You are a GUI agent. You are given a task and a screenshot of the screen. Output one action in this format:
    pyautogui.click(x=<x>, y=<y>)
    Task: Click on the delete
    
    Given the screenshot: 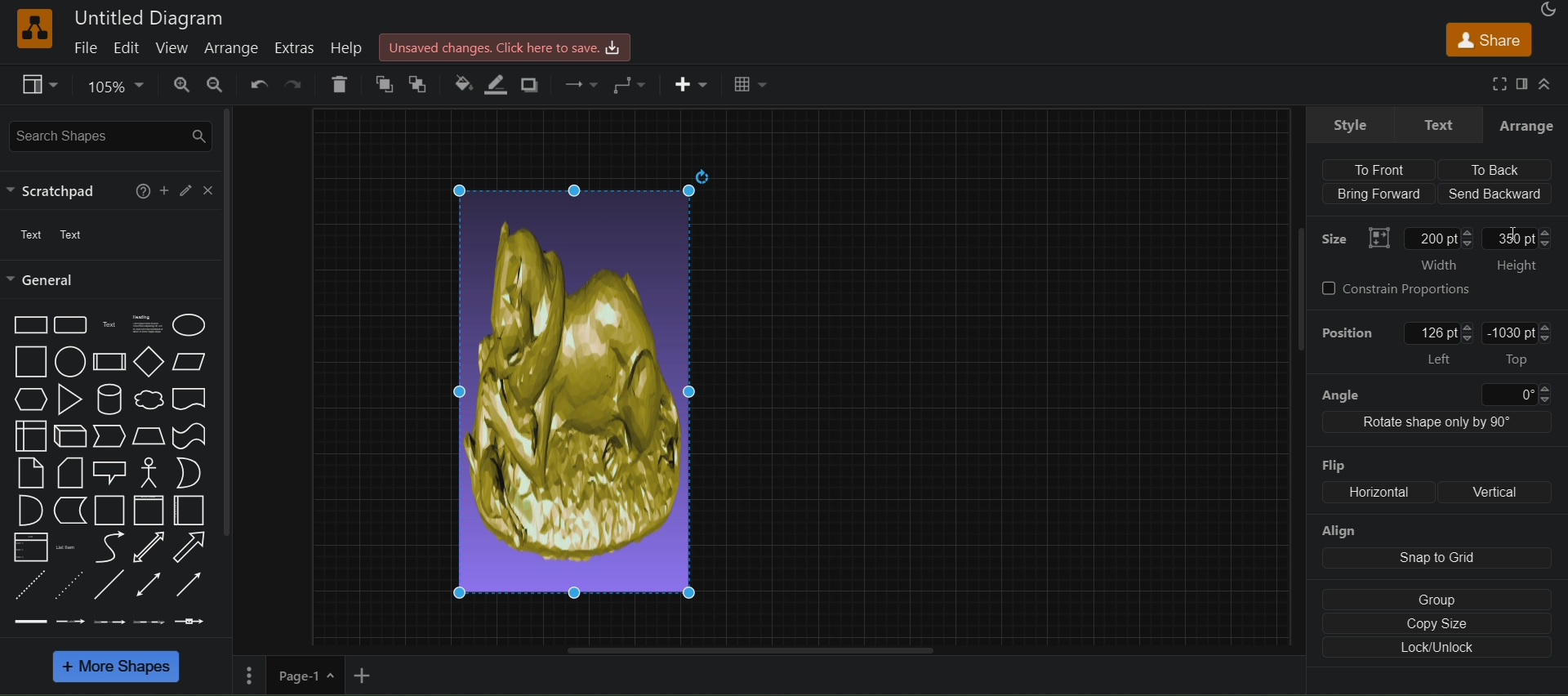 What is the action you would take?
    pyautogui.click(x=340, y=83)
    